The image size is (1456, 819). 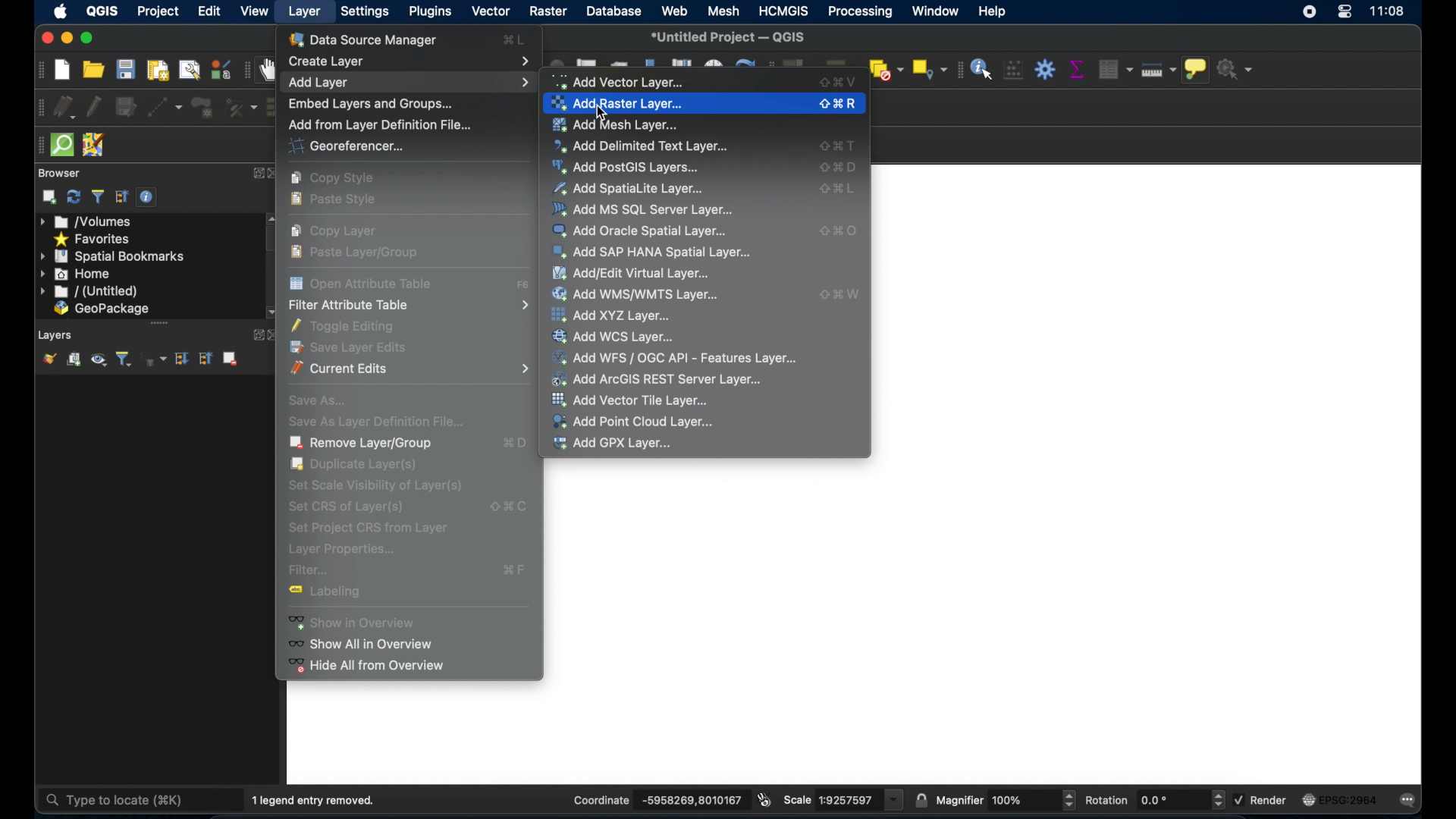 What do you see at coordinates (845, 800) in the screenshot?
I see `scale` at bounding box center [845, 800].